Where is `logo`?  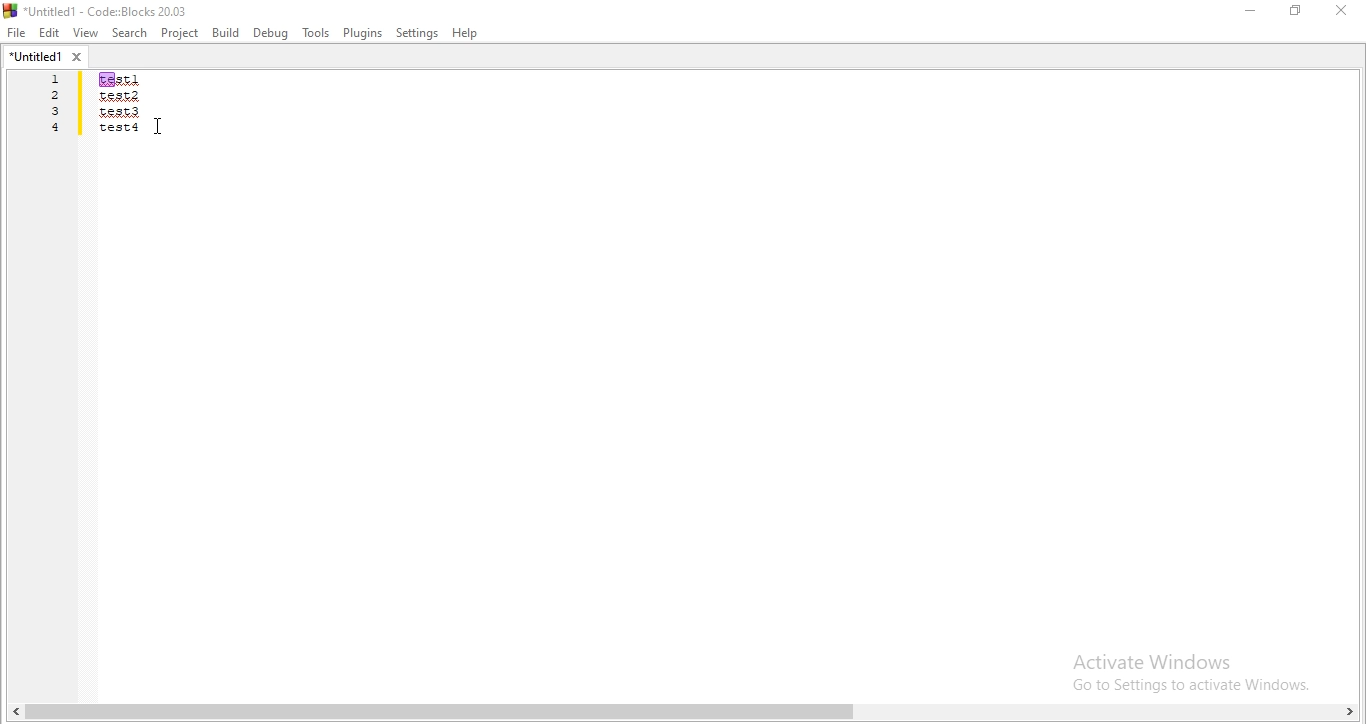 logo is located at coordinates (98, 9).